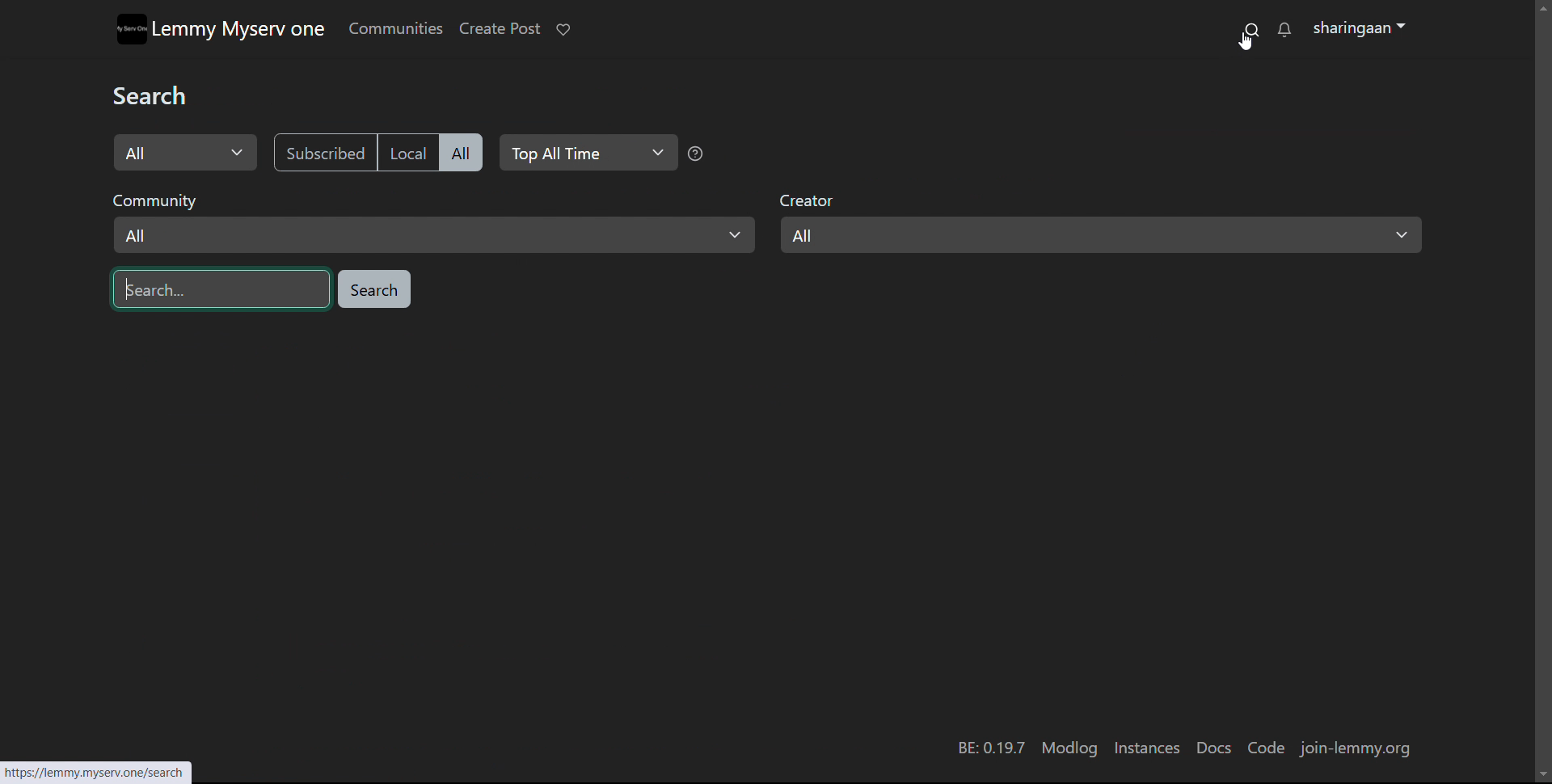 The width and height of the screenshot is (1552, 784). Describe the element at coordinates (1271, 748) in the screenshot. I see `code` at that location.